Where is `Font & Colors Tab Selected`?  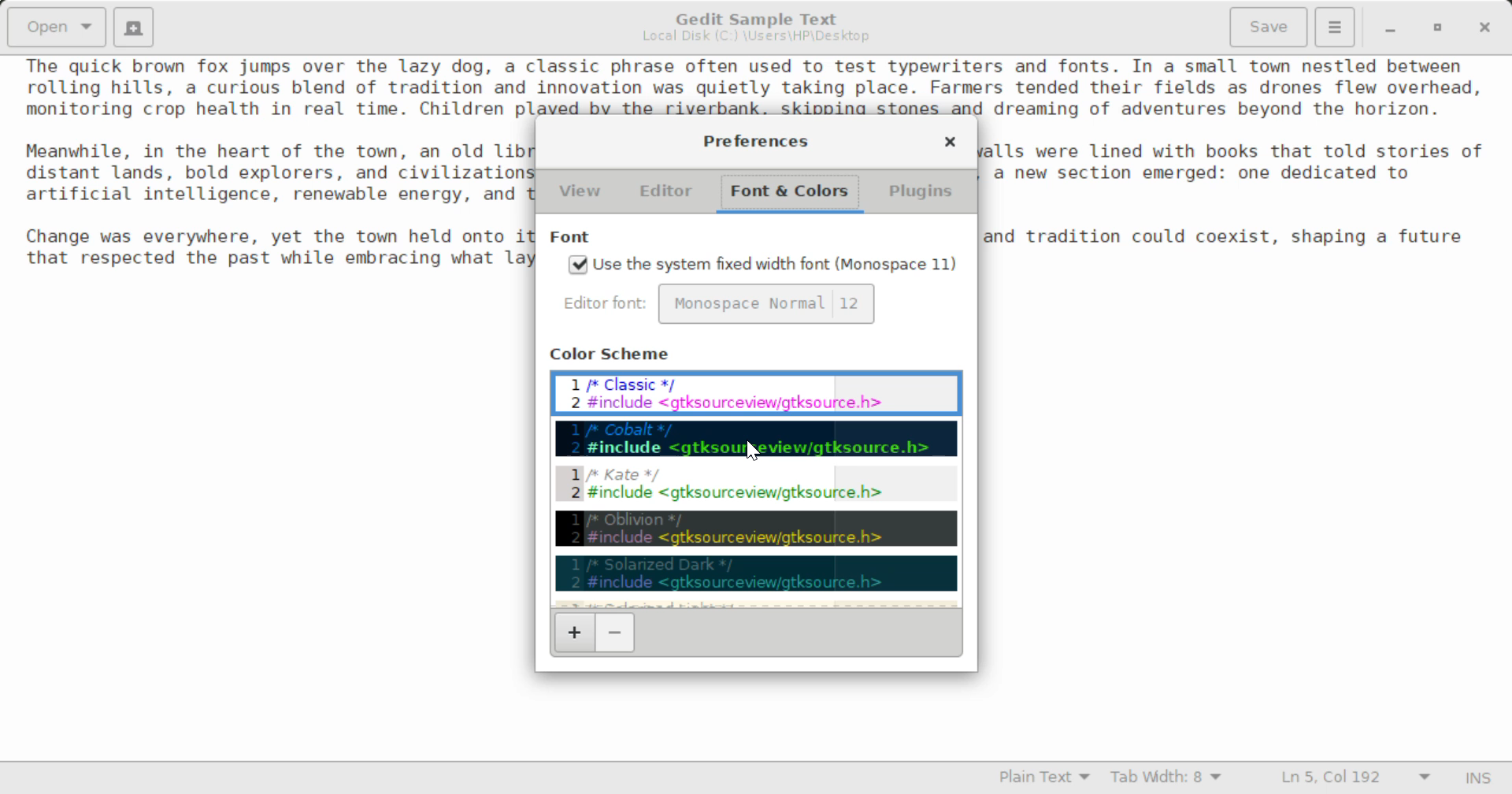 Font & Colors Tab Selected is located at coordinates (793, 191).